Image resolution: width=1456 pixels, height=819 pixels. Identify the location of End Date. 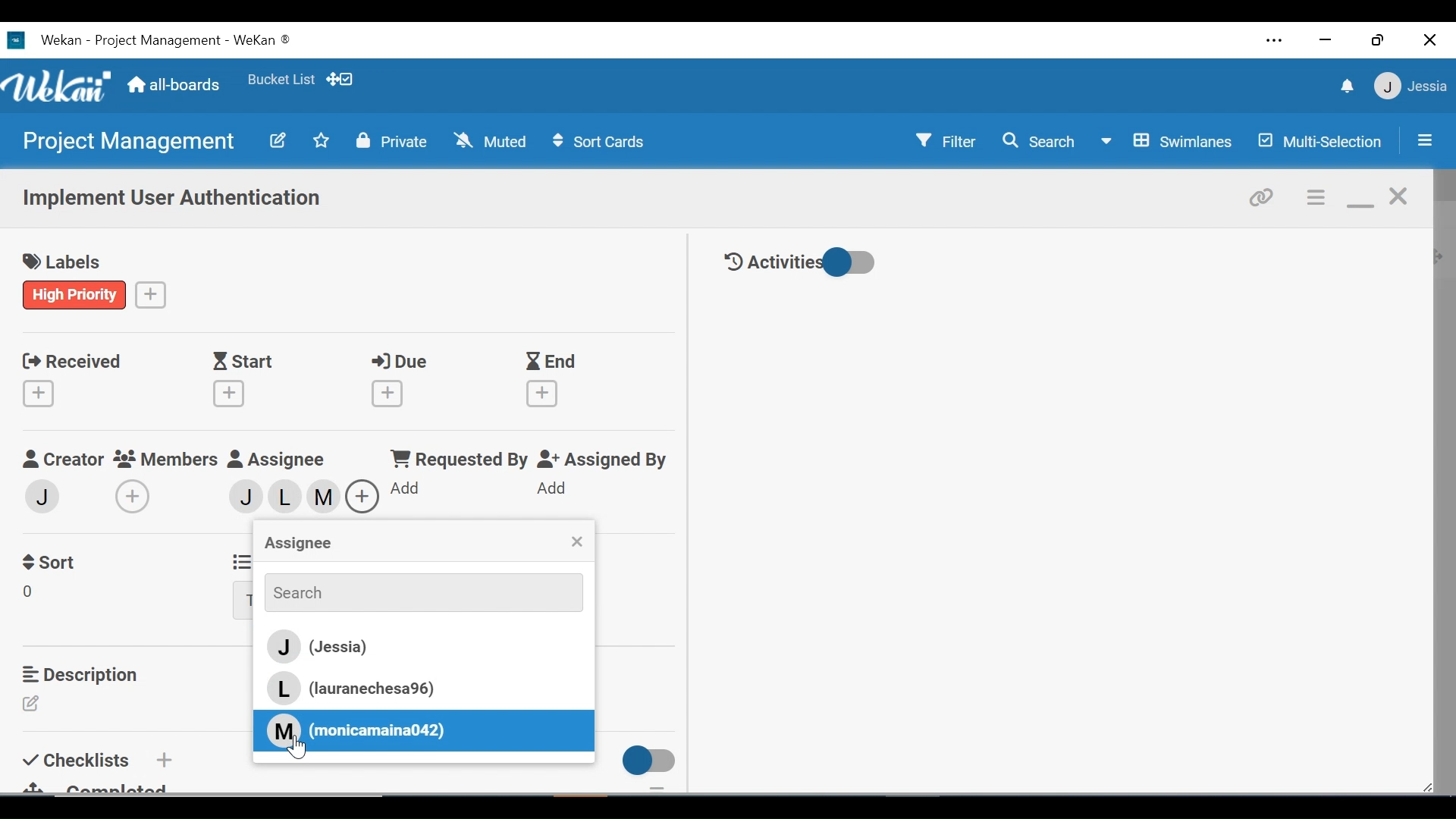
(554, 362).